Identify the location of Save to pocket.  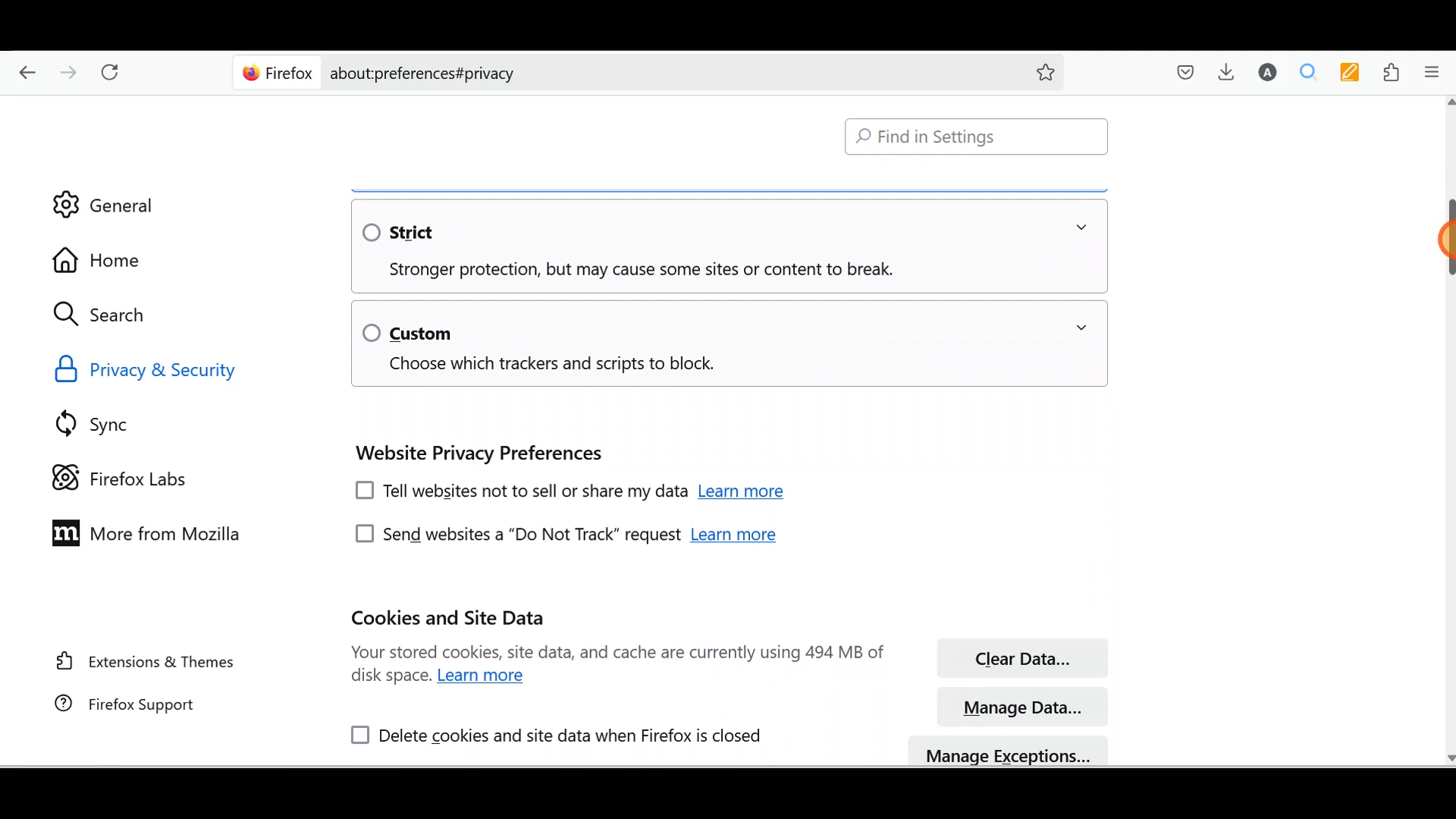
(1185, 71).